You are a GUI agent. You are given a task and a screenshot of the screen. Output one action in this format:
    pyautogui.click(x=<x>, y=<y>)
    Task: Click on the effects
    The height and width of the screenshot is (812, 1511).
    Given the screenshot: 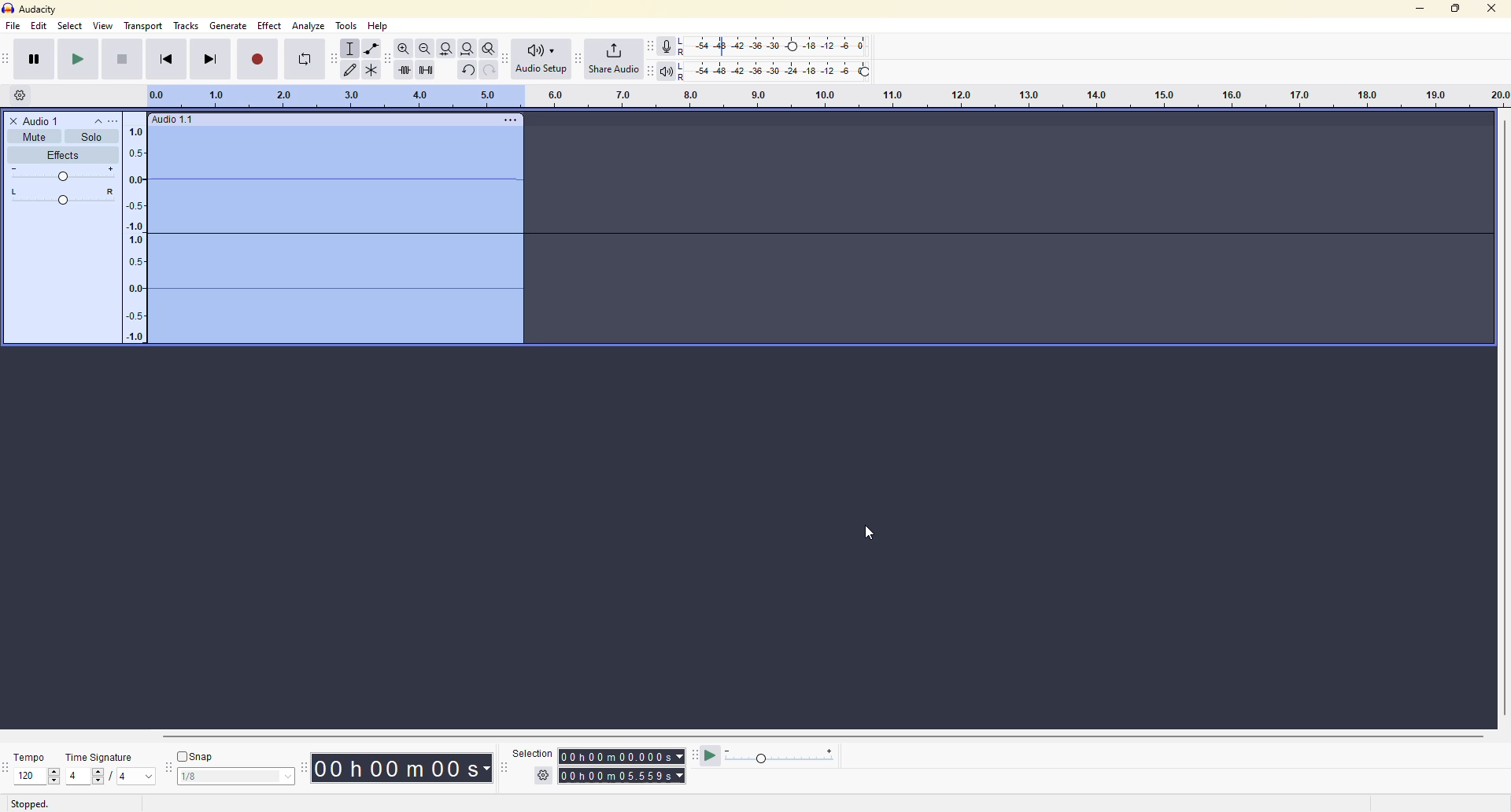 What is the action you would take?
    pyautogui.click(x=61, y=156)
    